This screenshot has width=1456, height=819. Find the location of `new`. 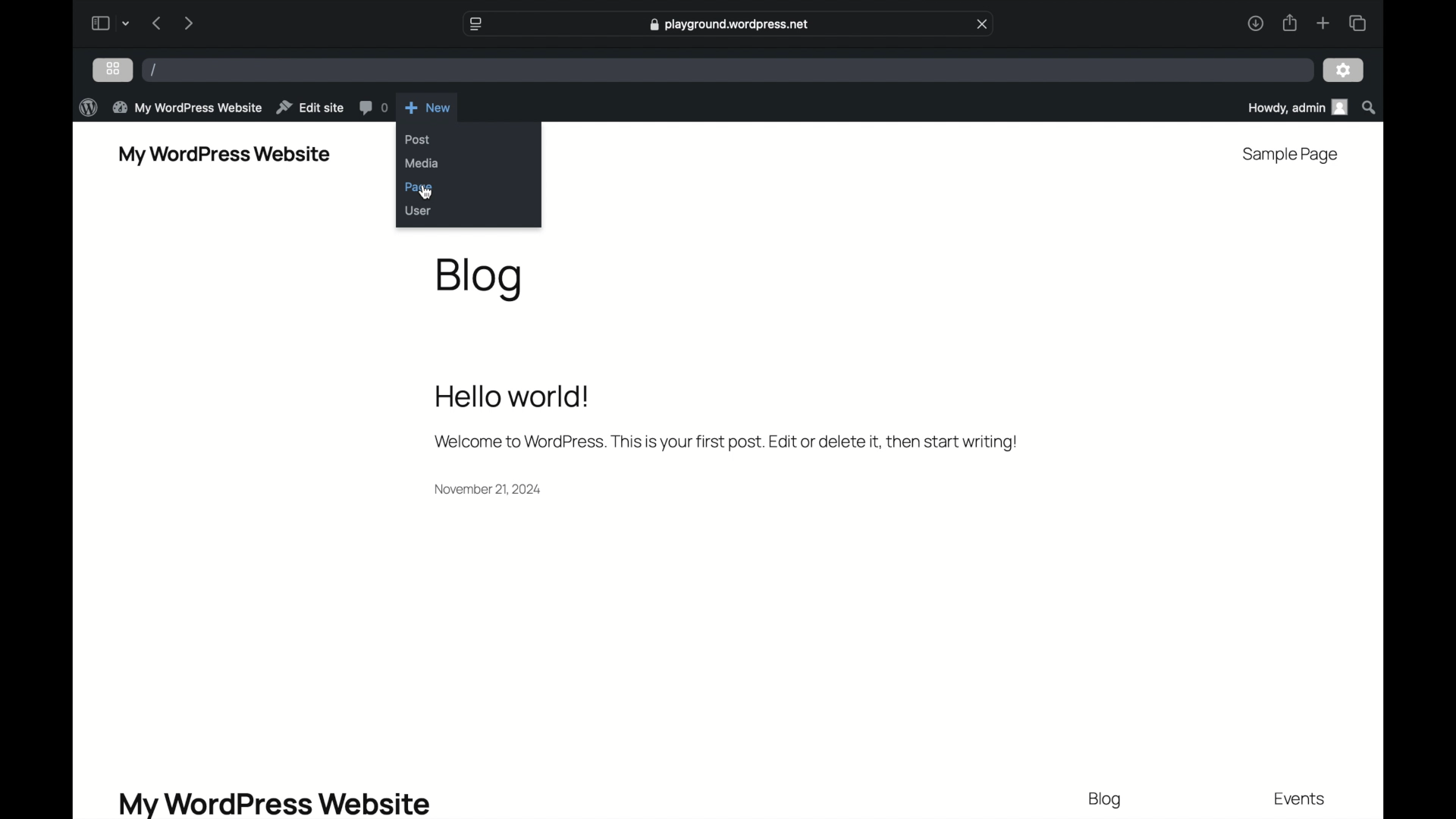

new is located at coordinates (429, 108).